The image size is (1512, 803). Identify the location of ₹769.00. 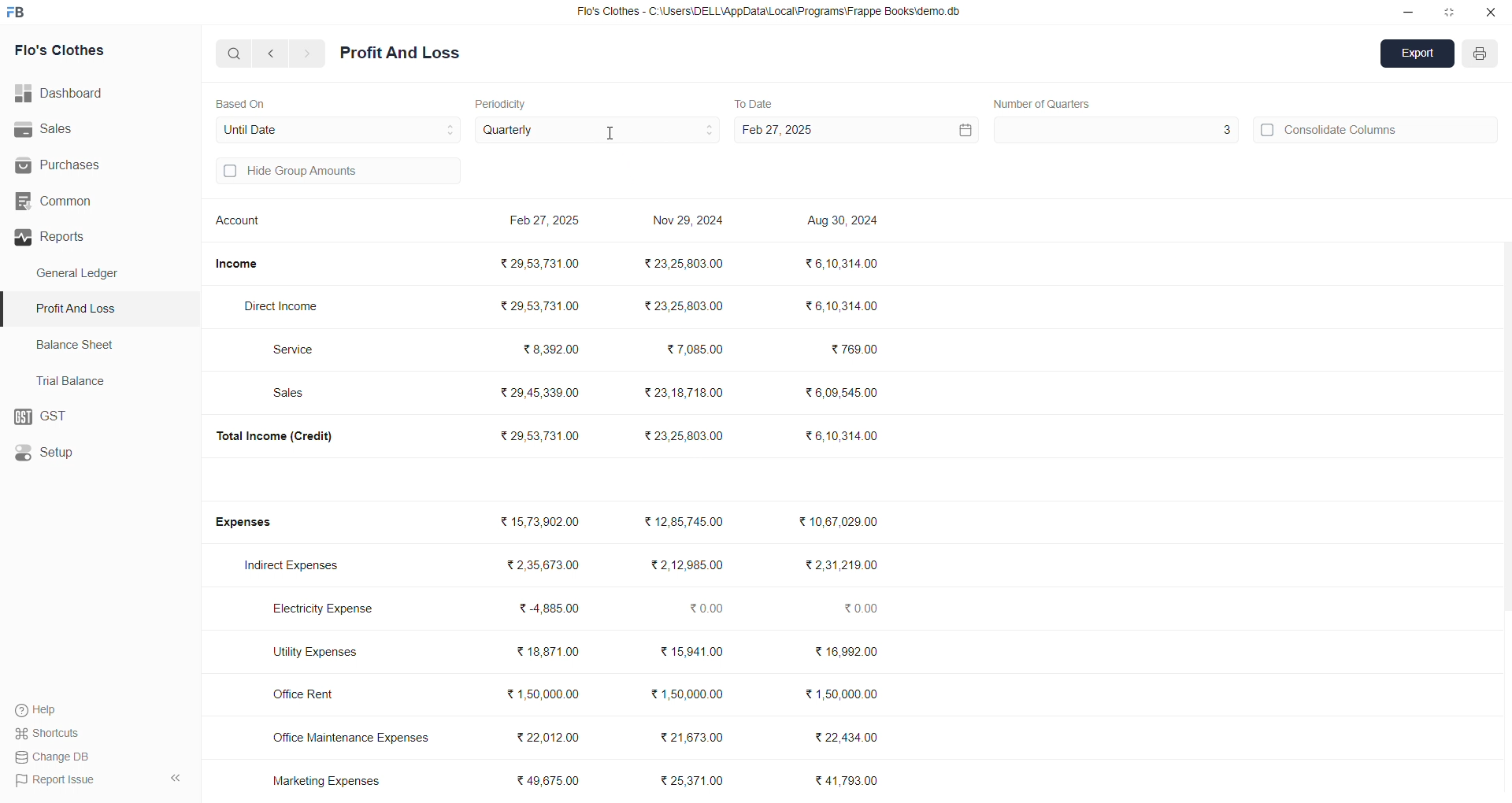
(856, 350).